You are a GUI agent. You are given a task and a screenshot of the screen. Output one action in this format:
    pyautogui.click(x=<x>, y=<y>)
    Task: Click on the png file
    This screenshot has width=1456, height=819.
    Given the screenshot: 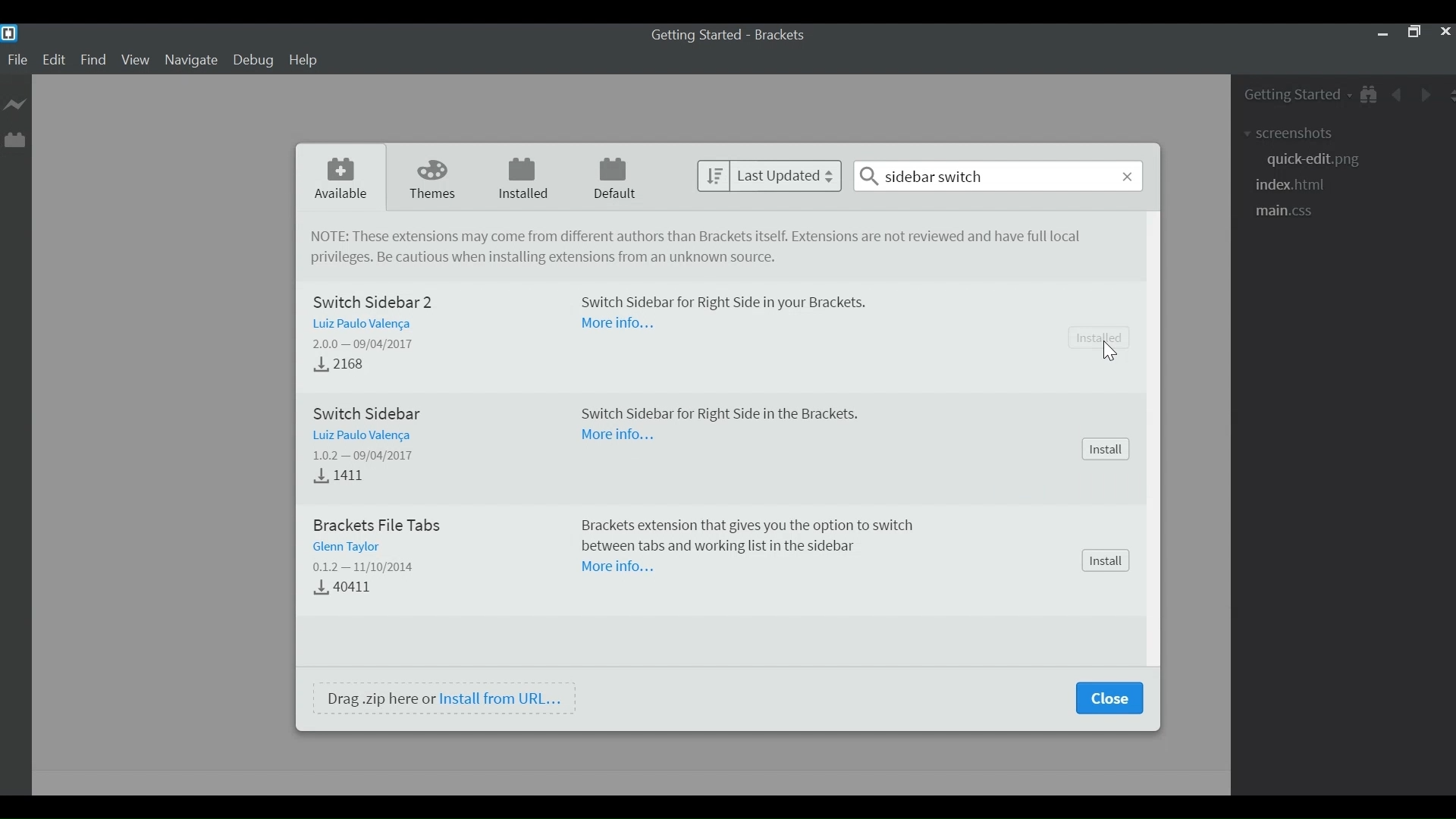 What is the action you would take?
    pyautogui.click(x=1313, y=161)
    